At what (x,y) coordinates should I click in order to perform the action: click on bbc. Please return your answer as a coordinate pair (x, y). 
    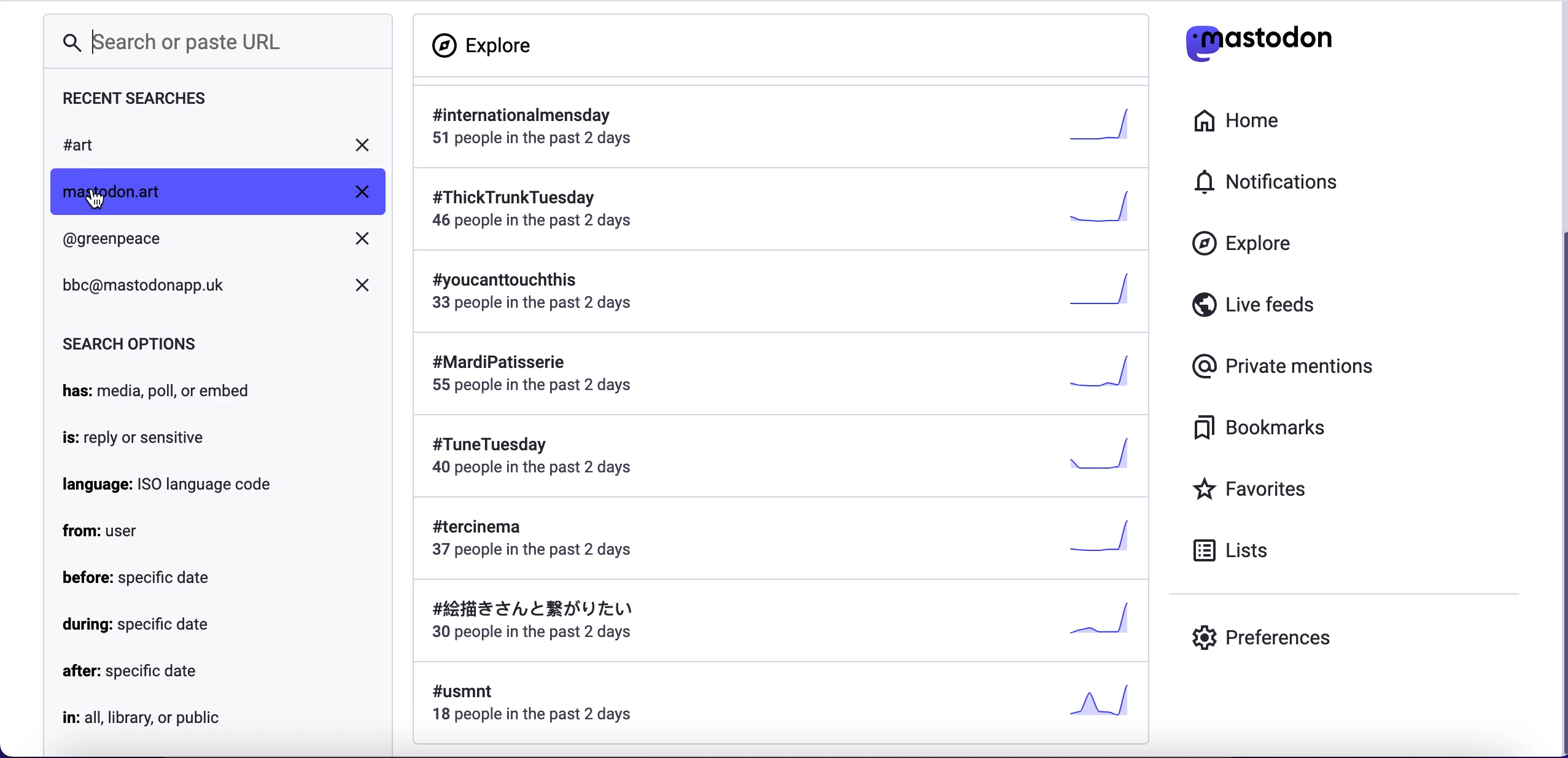
    Looking at the image, I should click on (217, 290).